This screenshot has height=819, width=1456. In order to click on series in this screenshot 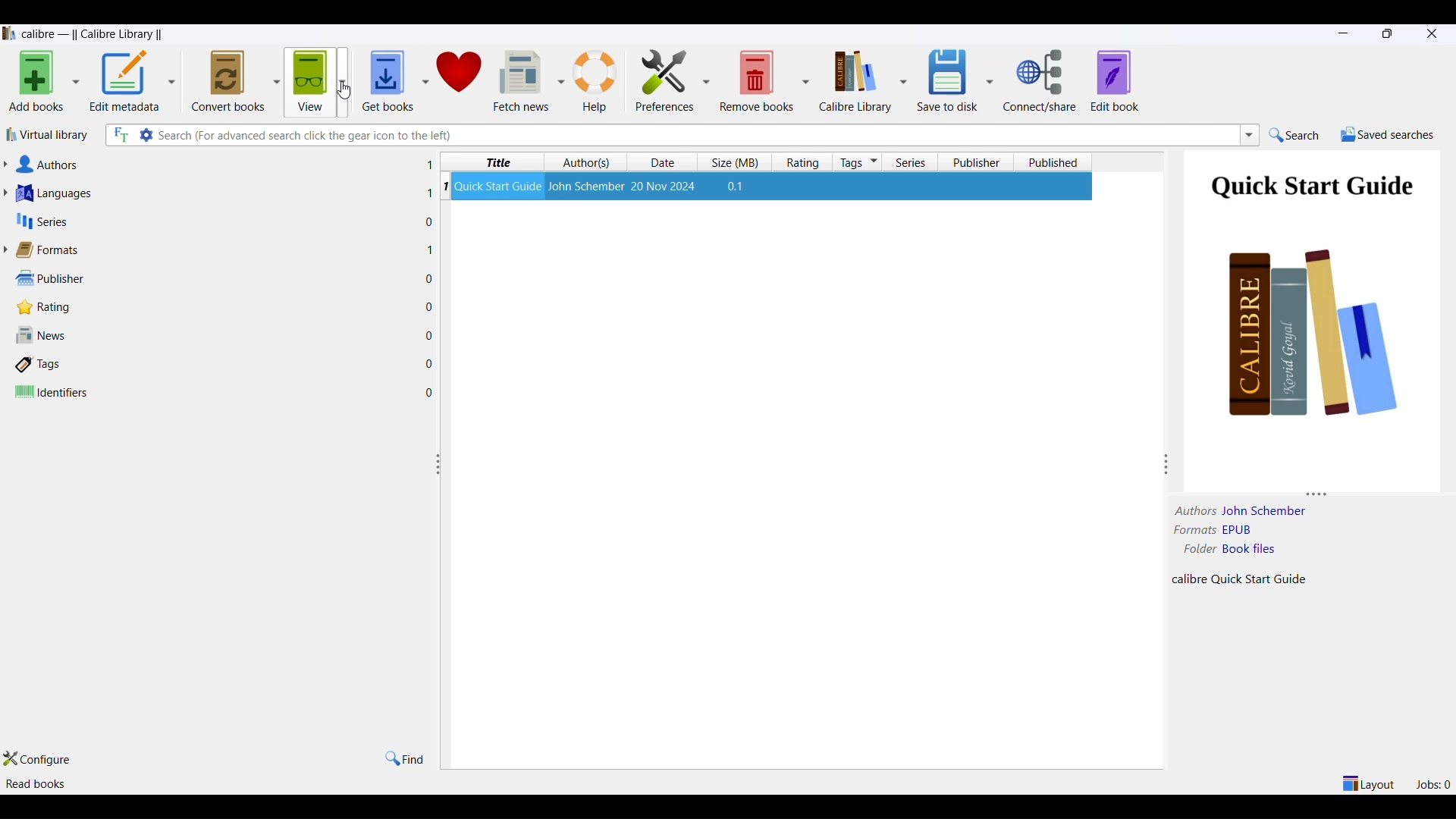, I will do `click(217, 220)`.